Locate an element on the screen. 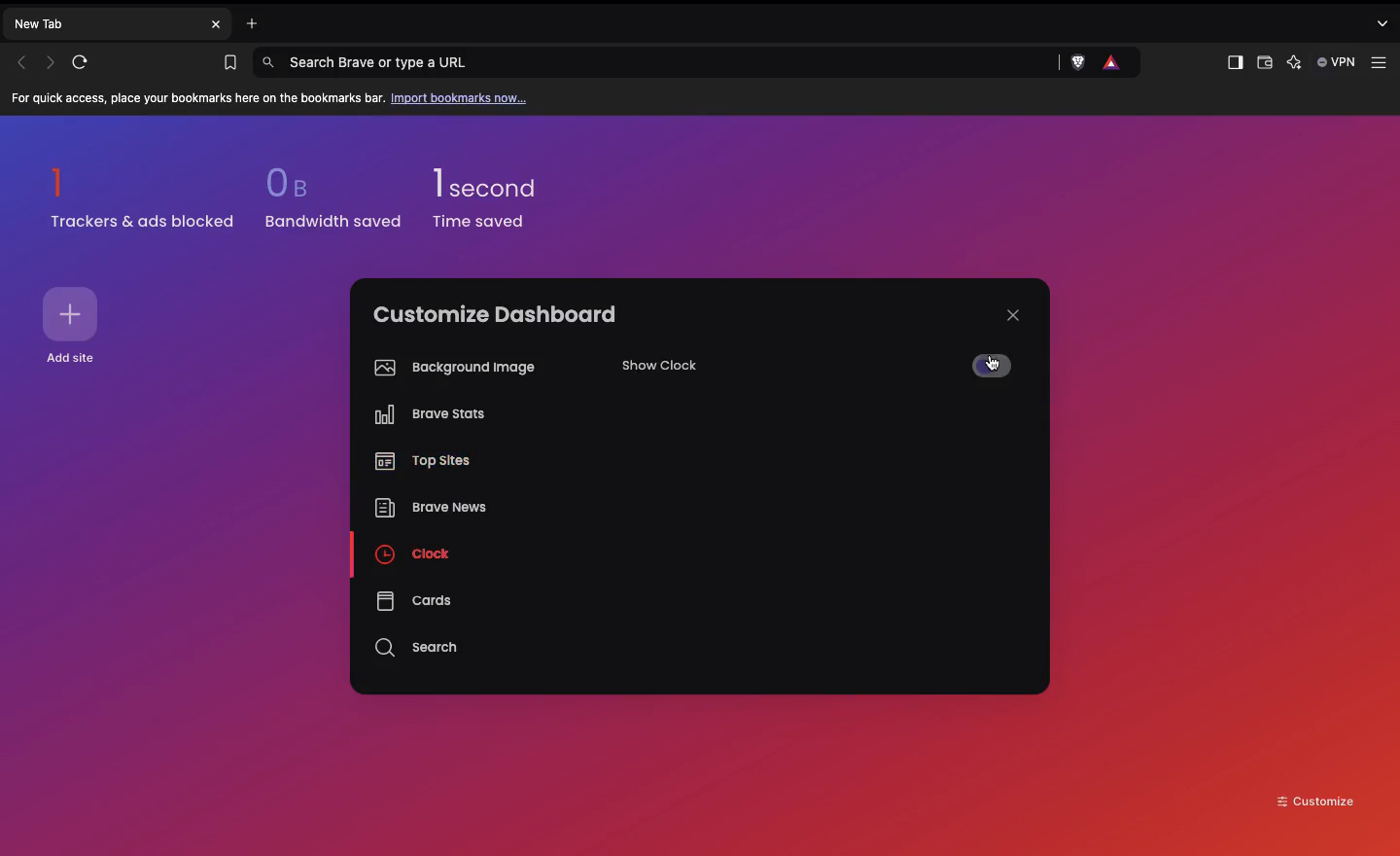 This screenshot has width=1400, height=856. Wallet is located at coordinates (1263, 65).